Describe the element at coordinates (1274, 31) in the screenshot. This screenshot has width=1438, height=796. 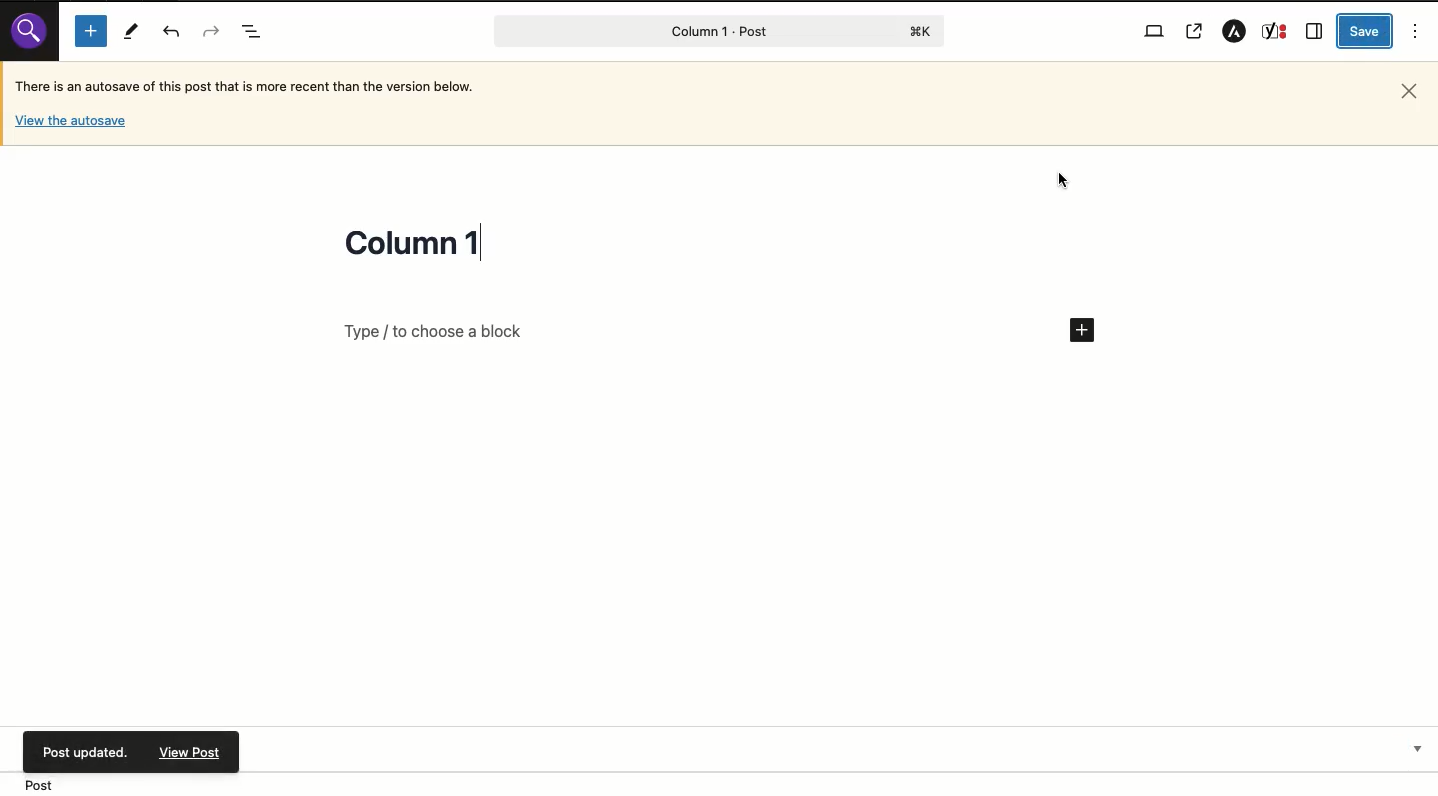
I see `Yoast` at that location.